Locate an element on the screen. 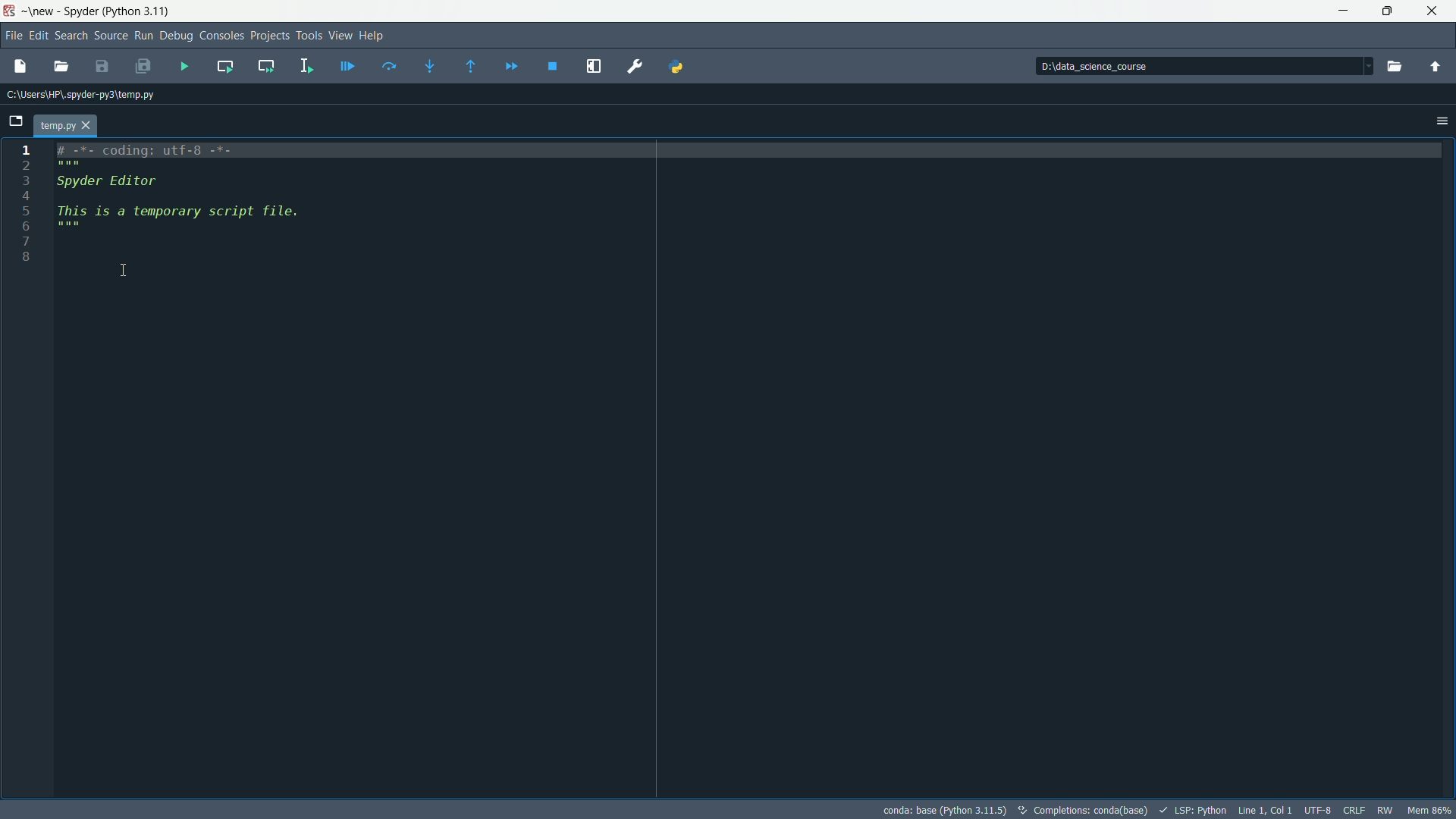 This screenshot has width=1456, height=819. run menu is located at coordinates (143, 35).